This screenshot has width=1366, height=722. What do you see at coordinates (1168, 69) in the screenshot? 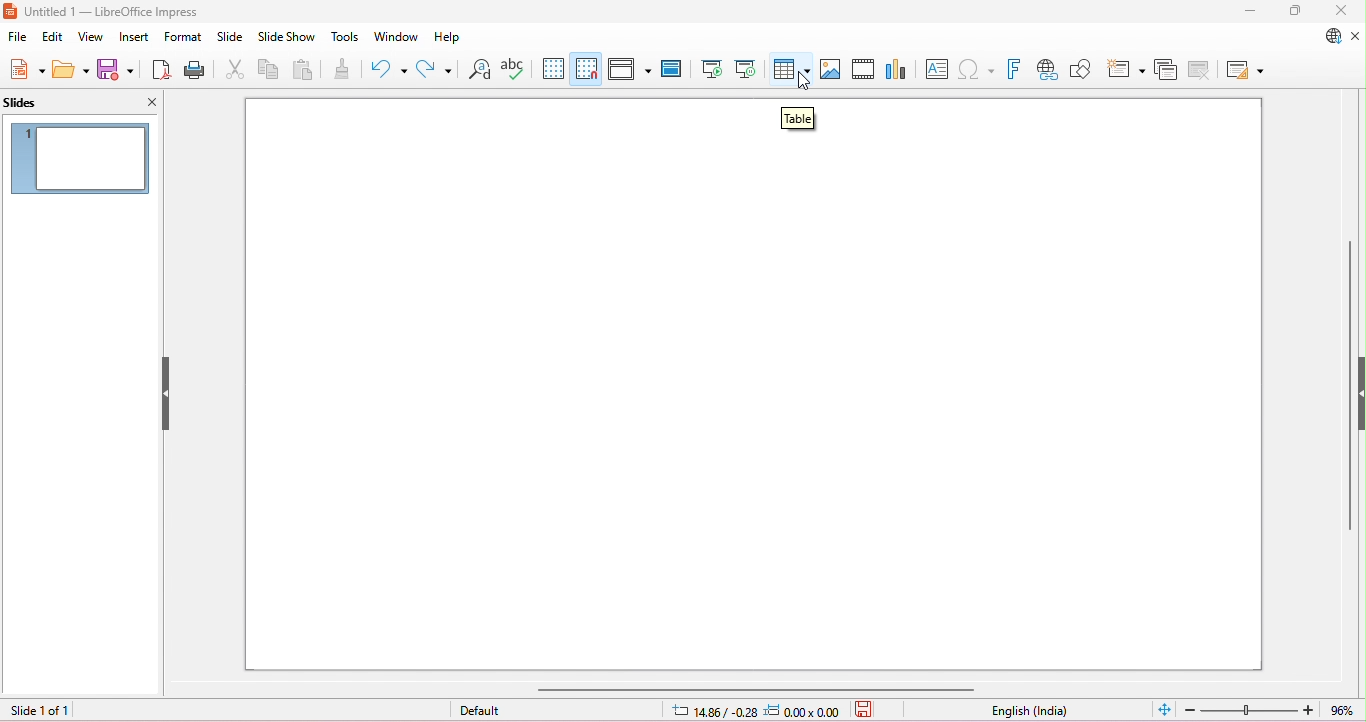
I see `duplicate slide` at bounding box center [1168, 69].